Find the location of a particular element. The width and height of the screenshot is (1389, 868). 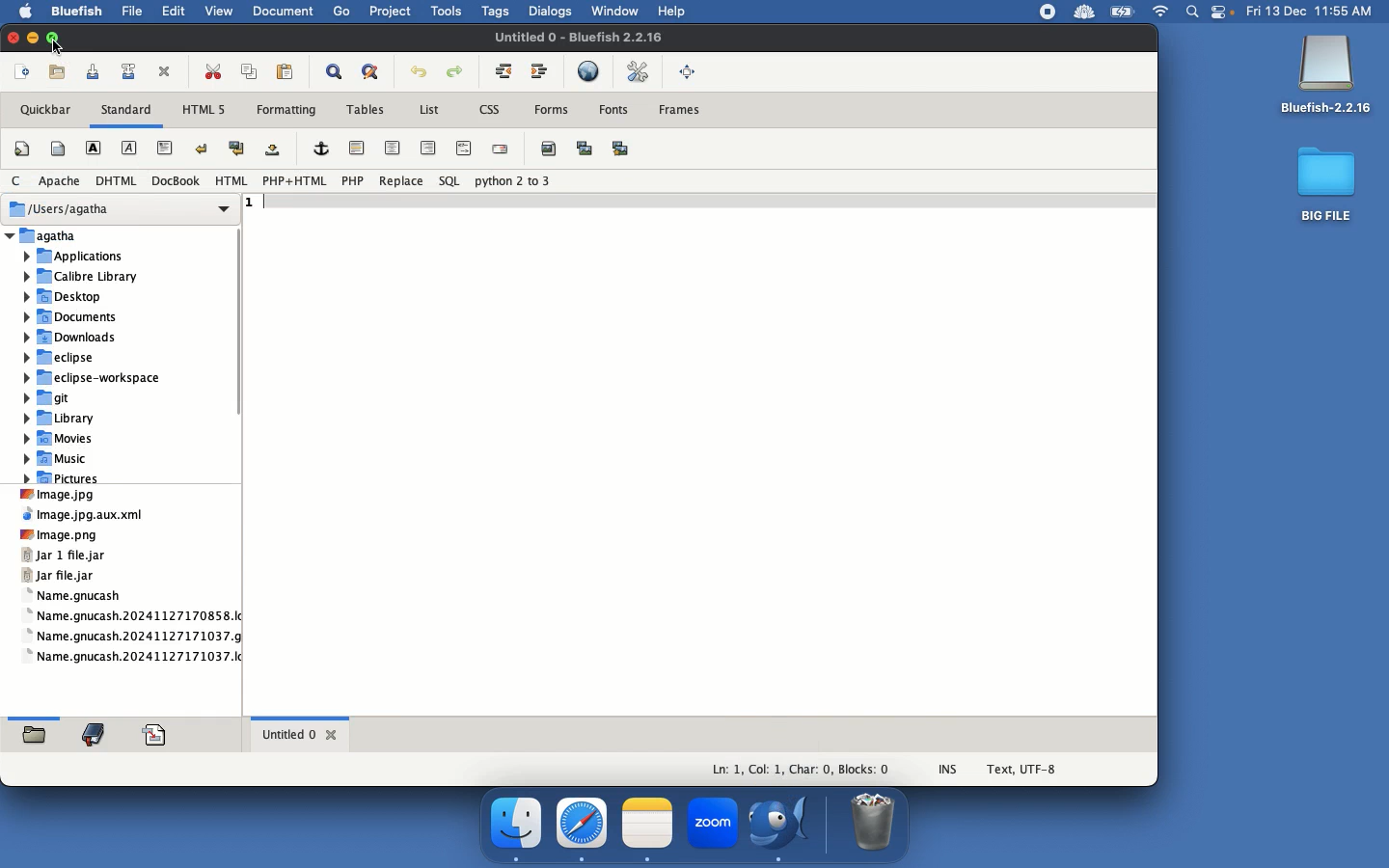

Multi thumbnail is located at coordinates (620, 149).